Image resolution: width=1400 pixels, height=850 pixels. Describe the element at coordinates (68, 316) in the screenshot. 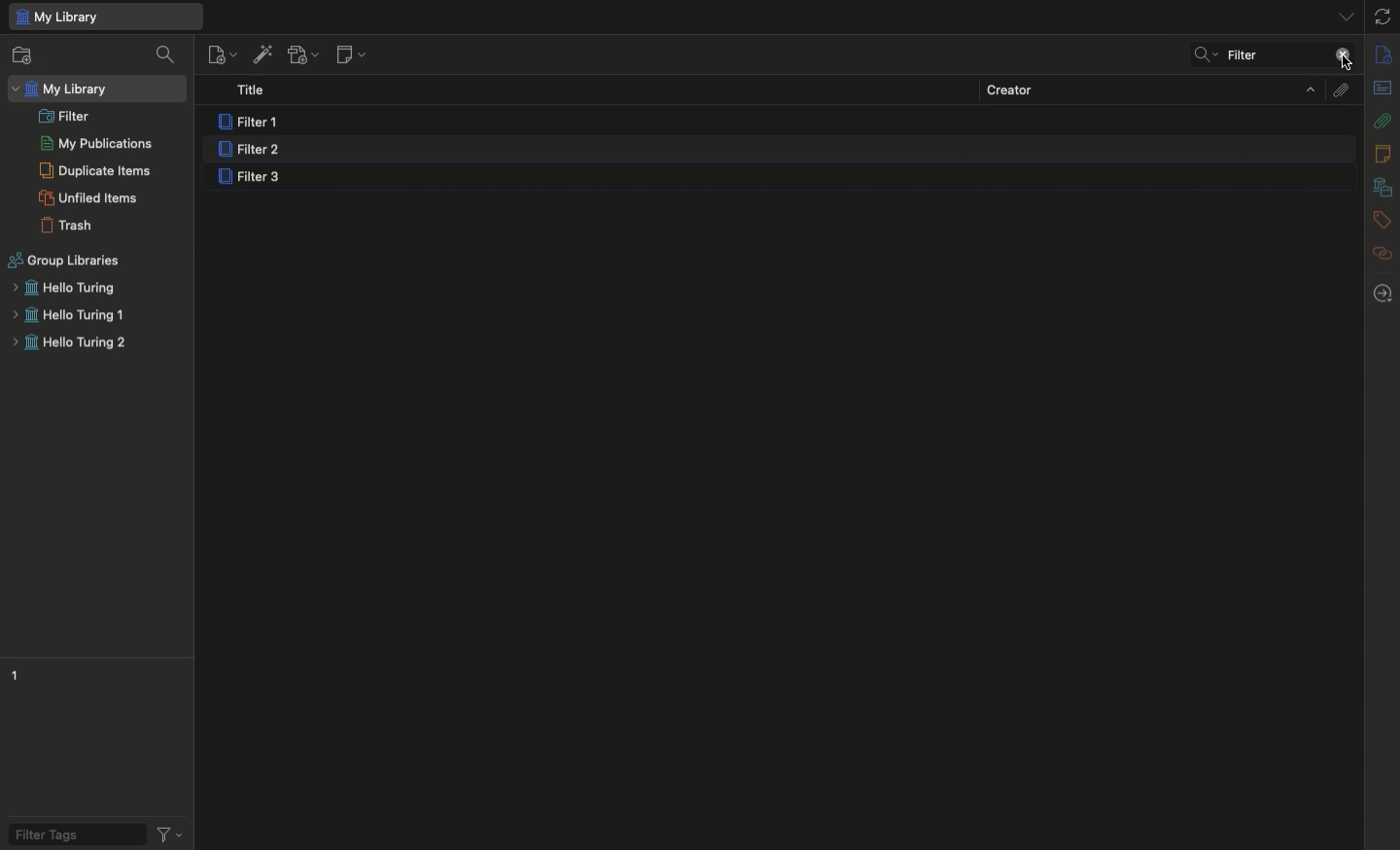

I see `Hello turing 1` at that location.